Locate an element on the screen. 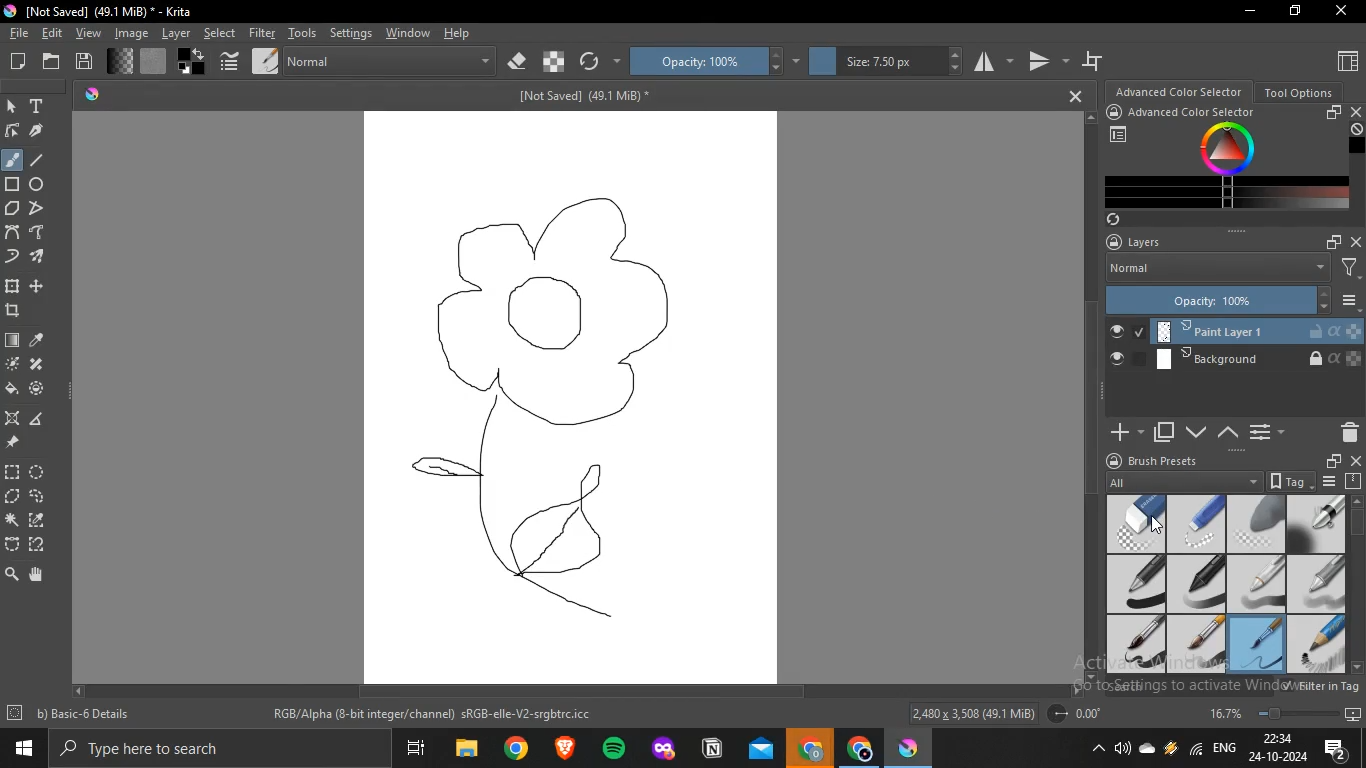  swap foreground and background colors is located at coordinates (193, 62).